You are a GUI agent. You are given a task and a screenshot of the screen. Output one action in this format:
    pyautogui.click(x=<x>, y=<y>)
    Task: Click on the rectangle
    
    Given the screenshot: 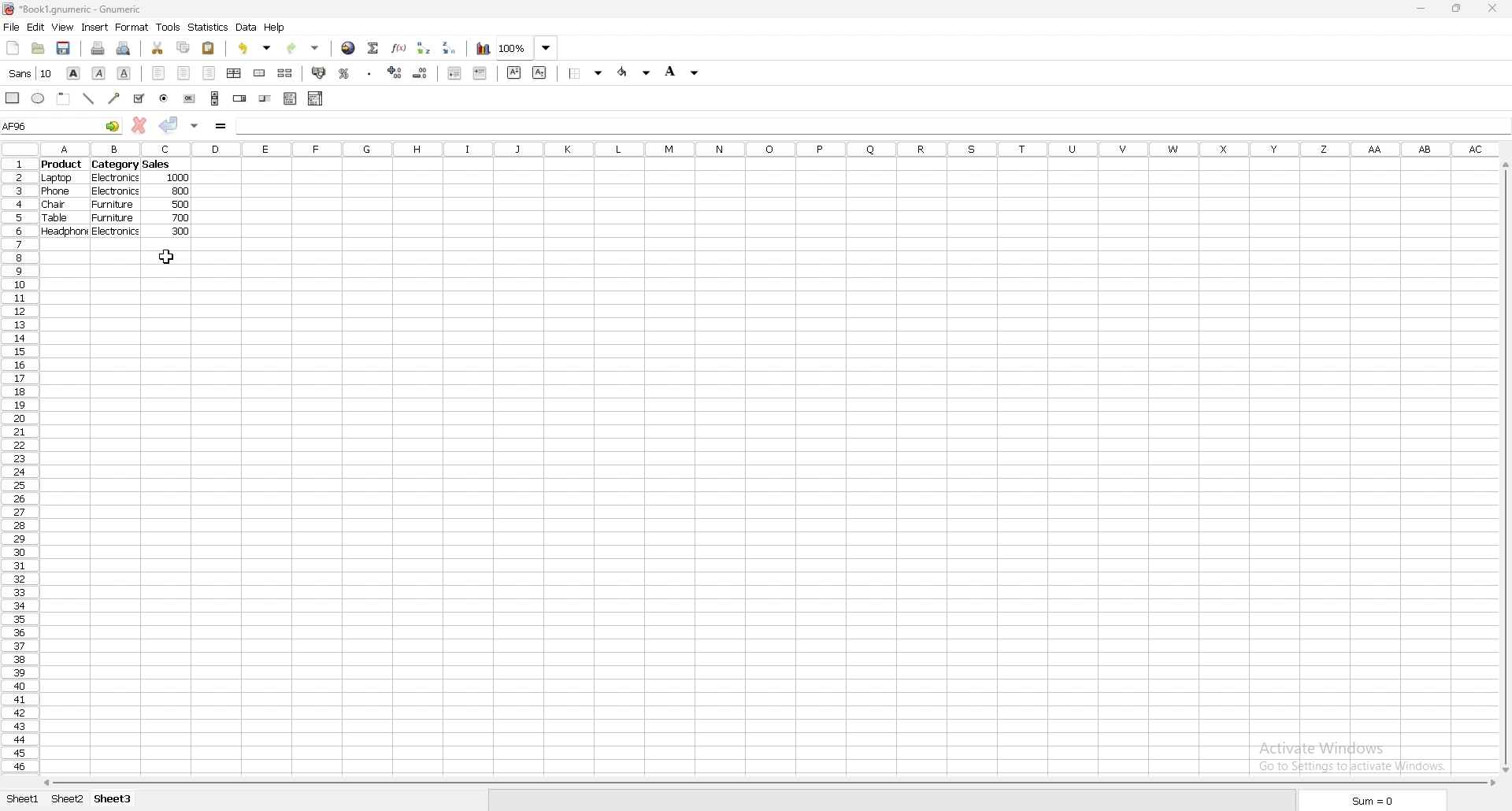 What is the action you would take?
    pyautogui.click(x=13, y=98)
    